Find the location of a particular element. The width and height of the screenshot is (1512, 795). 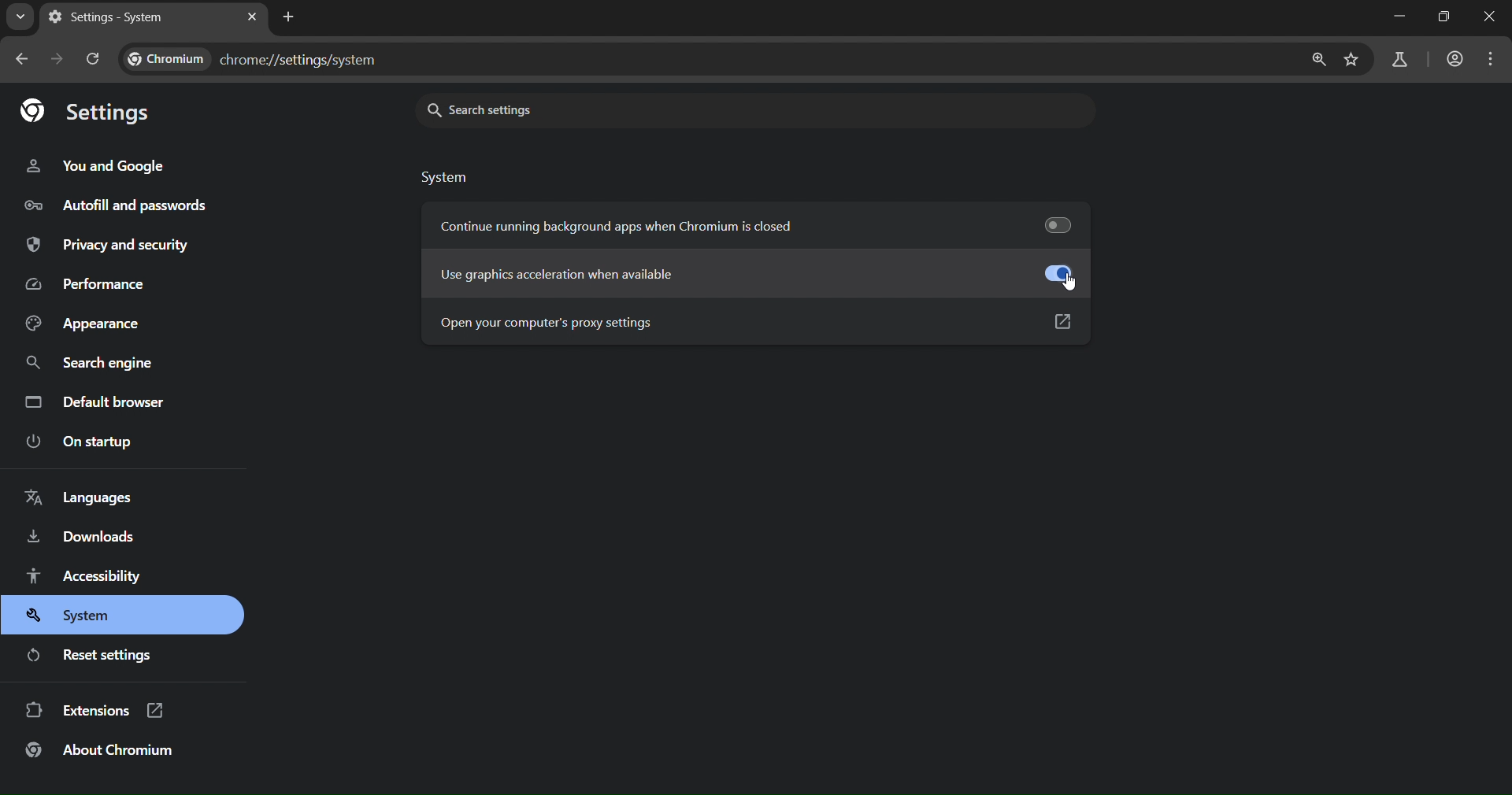

accounts is located at coordinates (1457, 59).